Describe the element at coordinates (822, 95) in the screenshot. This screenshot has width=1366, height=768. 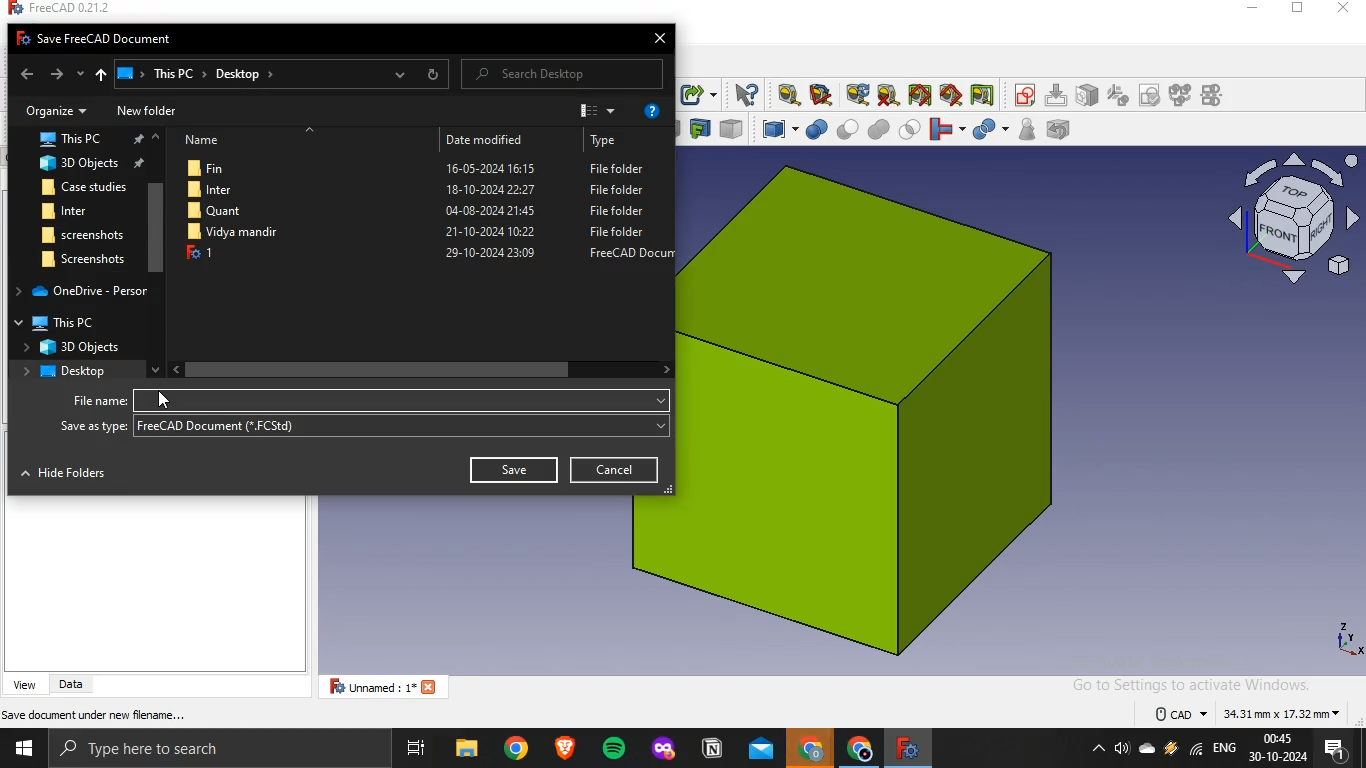
I see `measure angular` at that location.